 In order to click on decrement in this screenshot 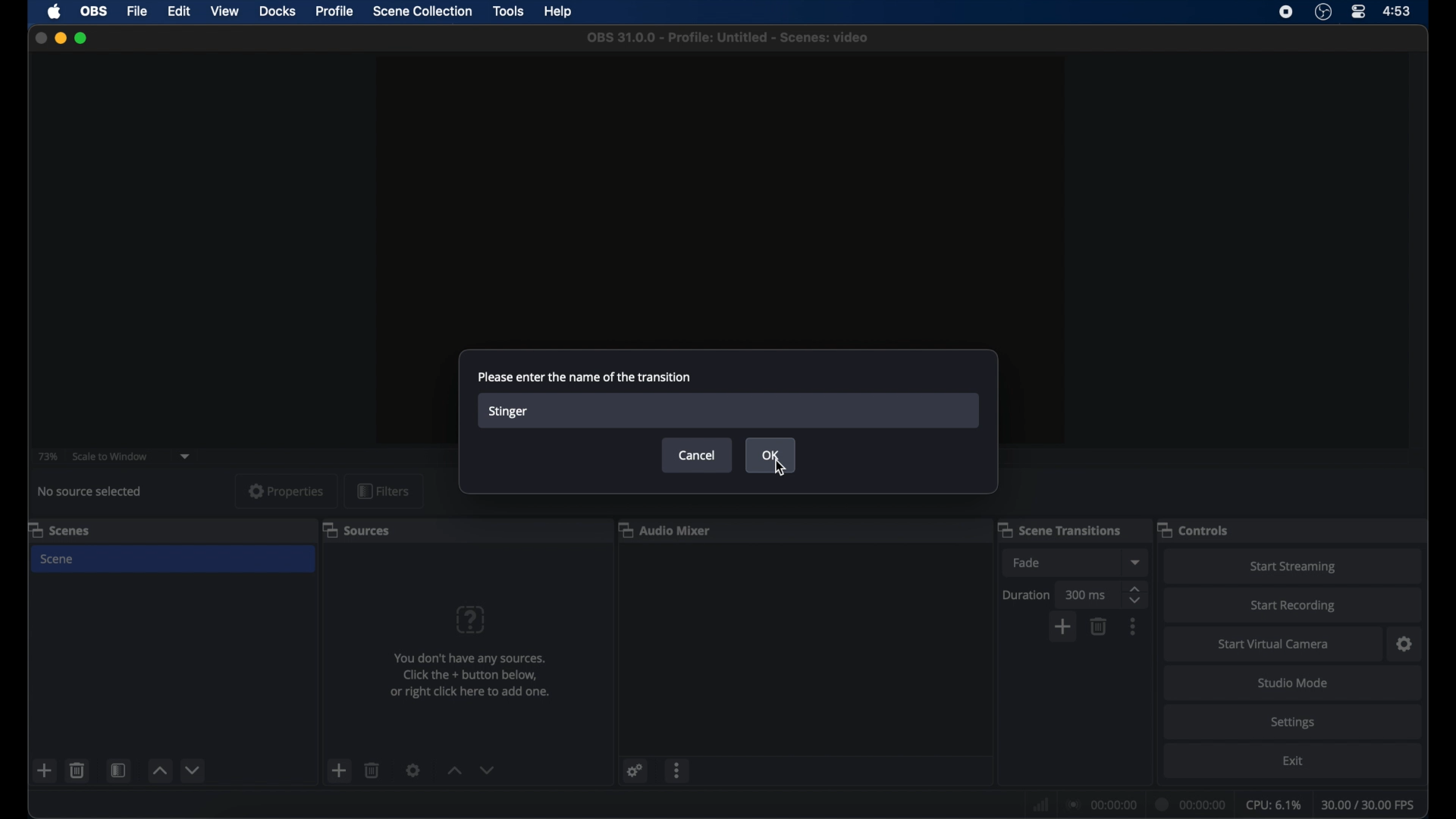, I will do `click(194, 770)`.